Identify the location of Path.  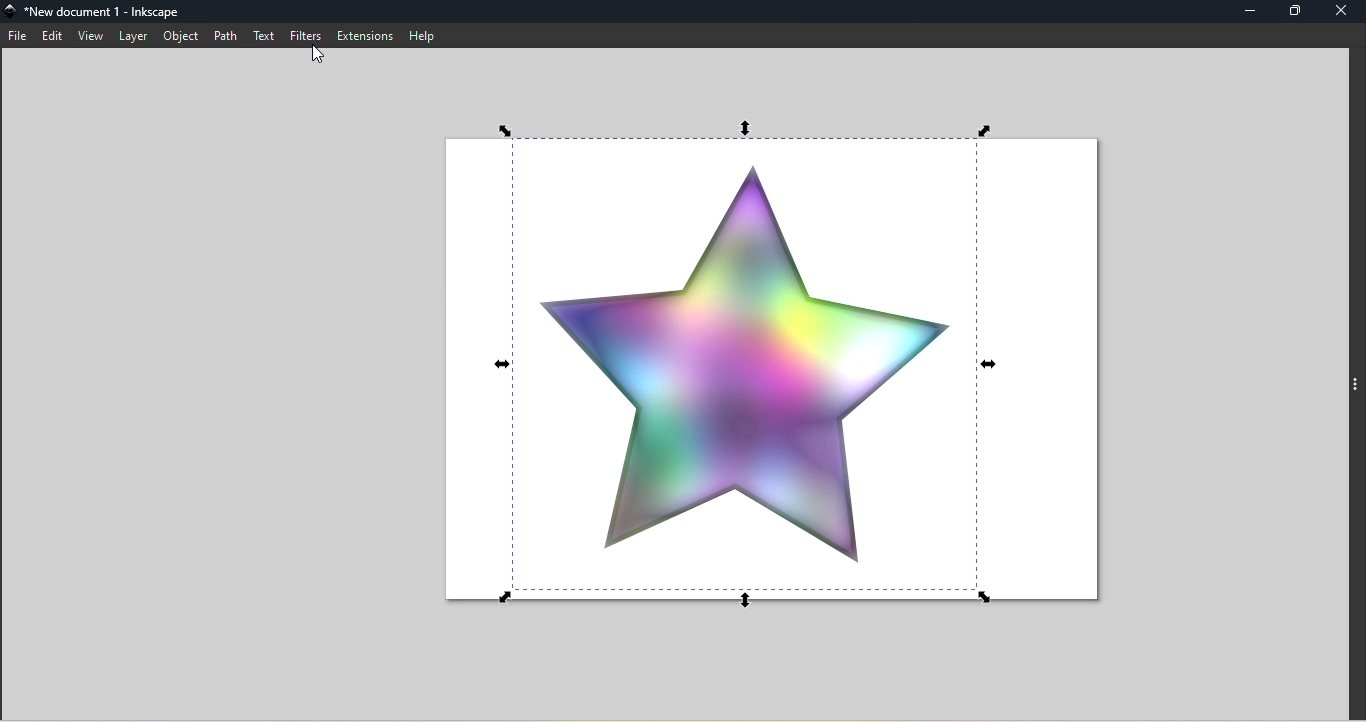
(226, 37).